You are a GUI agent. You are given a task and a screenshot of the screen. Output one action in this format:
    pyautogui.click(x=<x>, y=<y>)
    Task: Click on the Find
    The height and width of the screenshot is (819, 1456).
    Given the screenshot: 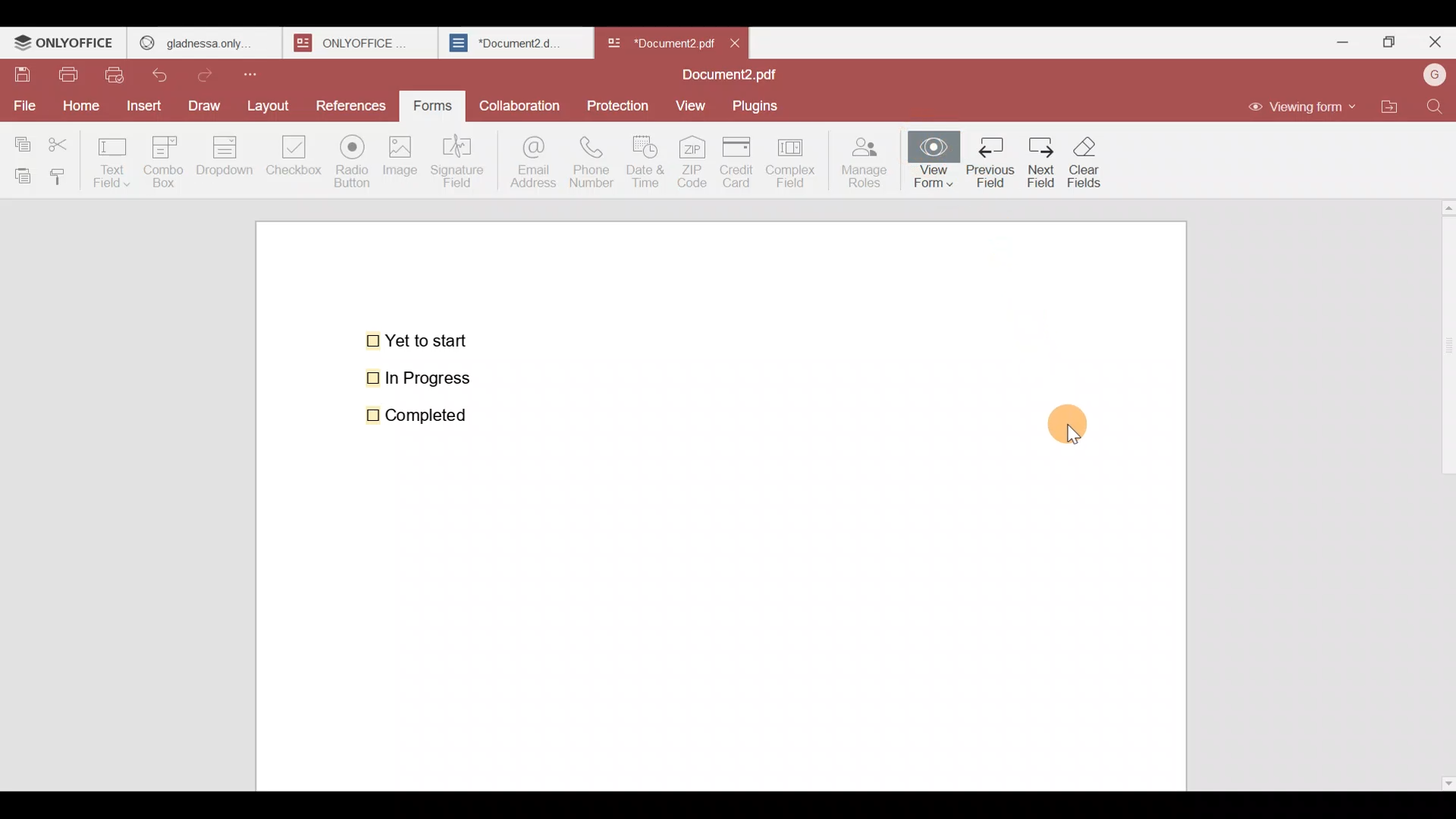 What is the action you would take?
    pyautogui.click(x=1435, y=106)
    